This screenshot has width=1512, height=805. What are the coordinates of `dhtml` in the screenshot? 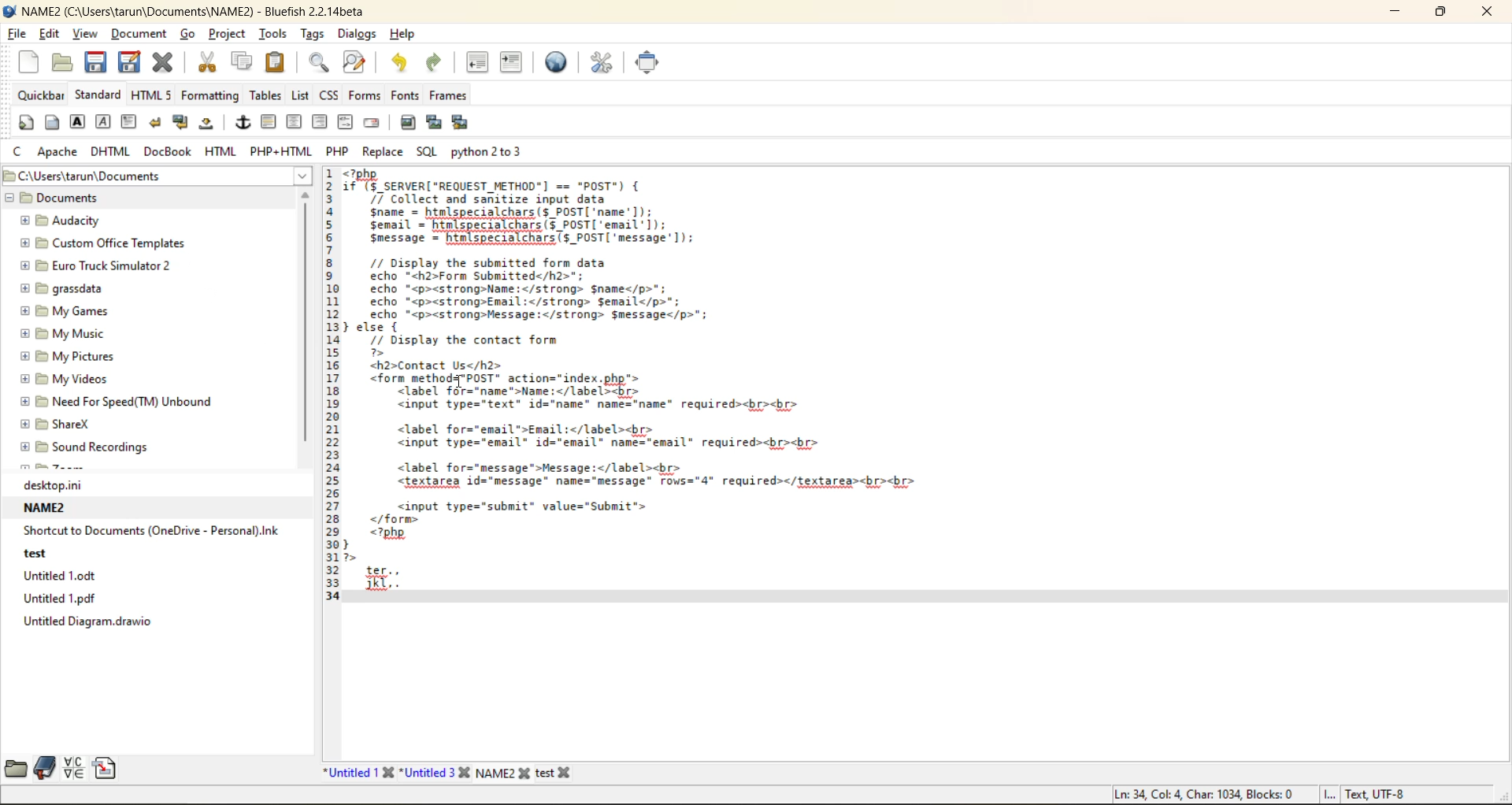 It's located at (109, 153).